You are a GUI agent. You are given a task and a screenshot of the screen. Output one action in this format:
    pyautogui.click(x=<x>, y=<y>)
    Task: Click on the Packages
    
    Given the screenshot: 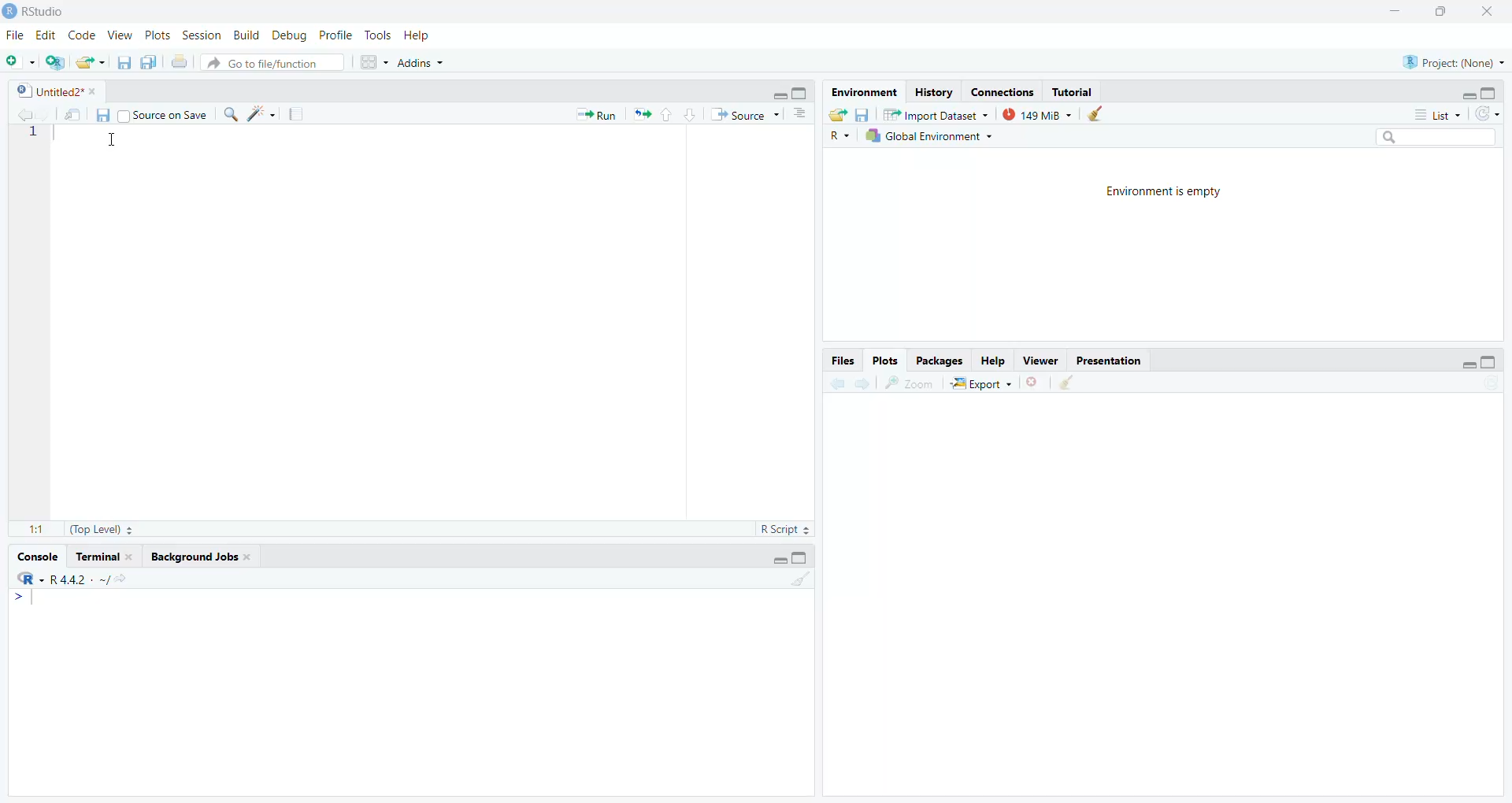 What is the action you would take?
    pyautogui.click(x=943, y=358)
    